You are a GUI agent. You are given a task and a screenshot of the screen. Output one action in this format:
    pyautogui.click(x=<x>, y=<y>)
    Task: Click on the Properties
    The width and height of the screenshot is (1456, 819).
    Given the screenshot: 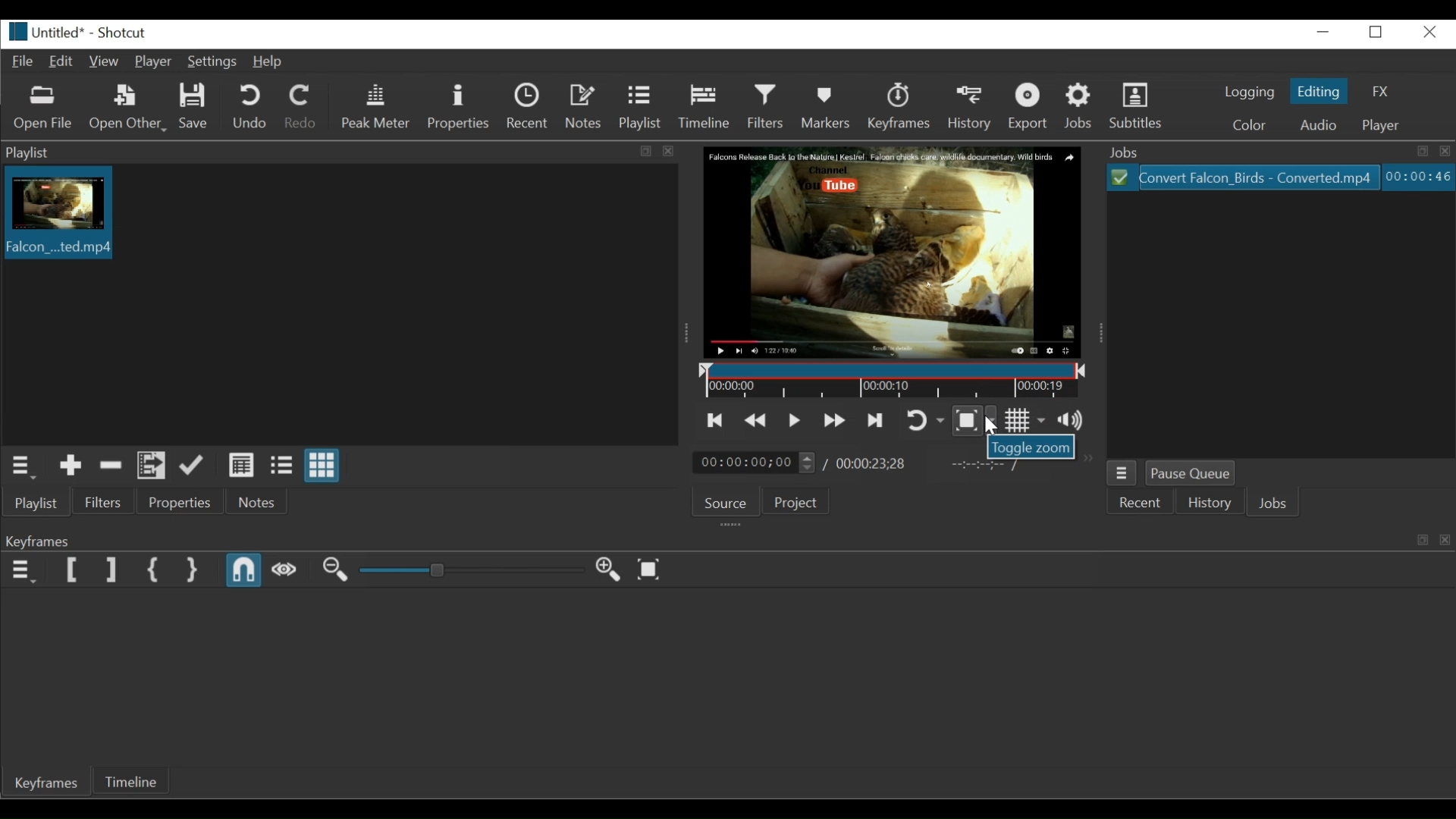 What is the action you would take?
    pyautogui.click(x=180, y=500)
    